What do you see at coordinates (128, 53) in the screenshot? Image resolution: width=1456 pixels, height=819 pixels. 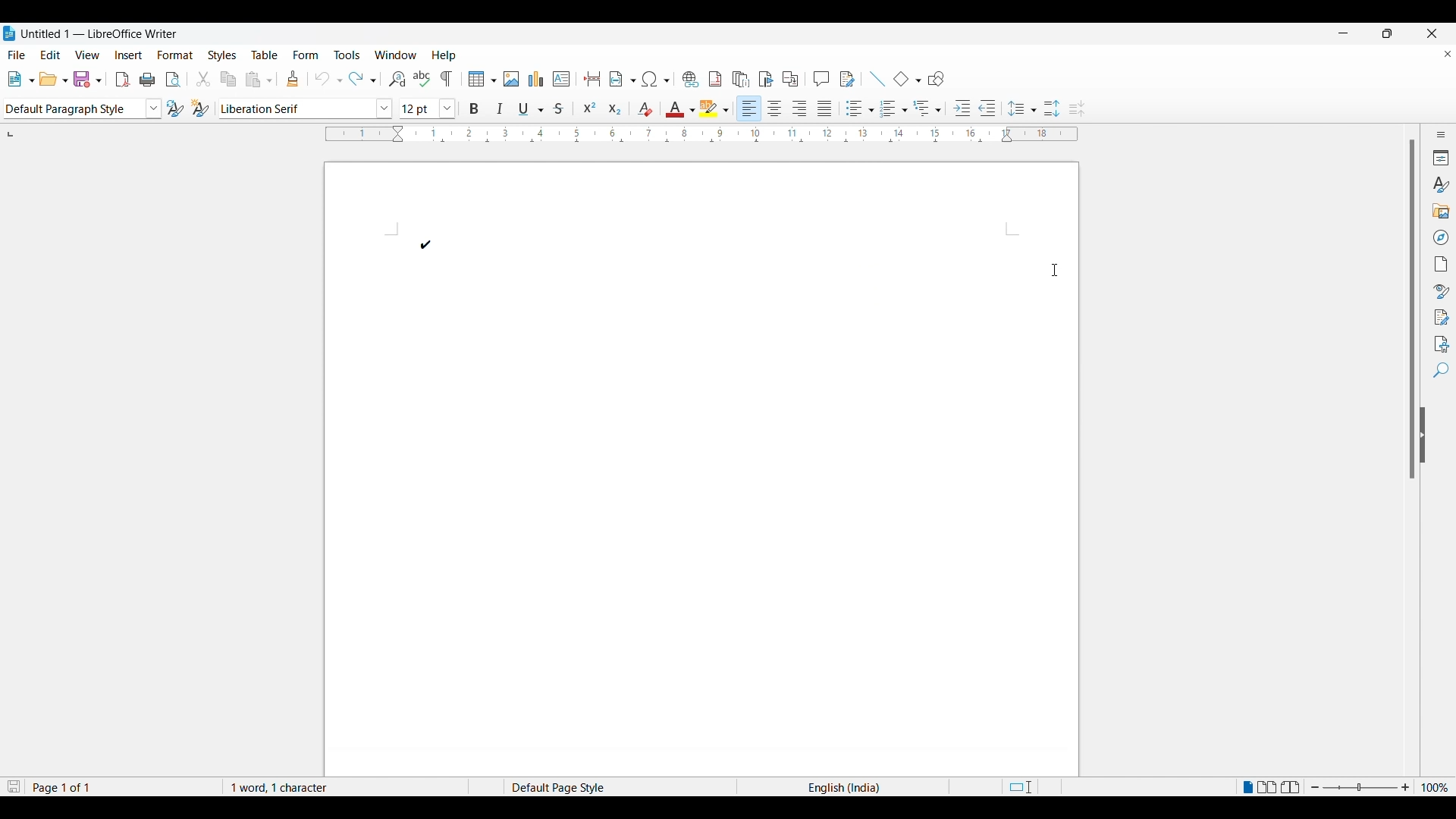 I see `Insert` at bounding box center [128, 53].